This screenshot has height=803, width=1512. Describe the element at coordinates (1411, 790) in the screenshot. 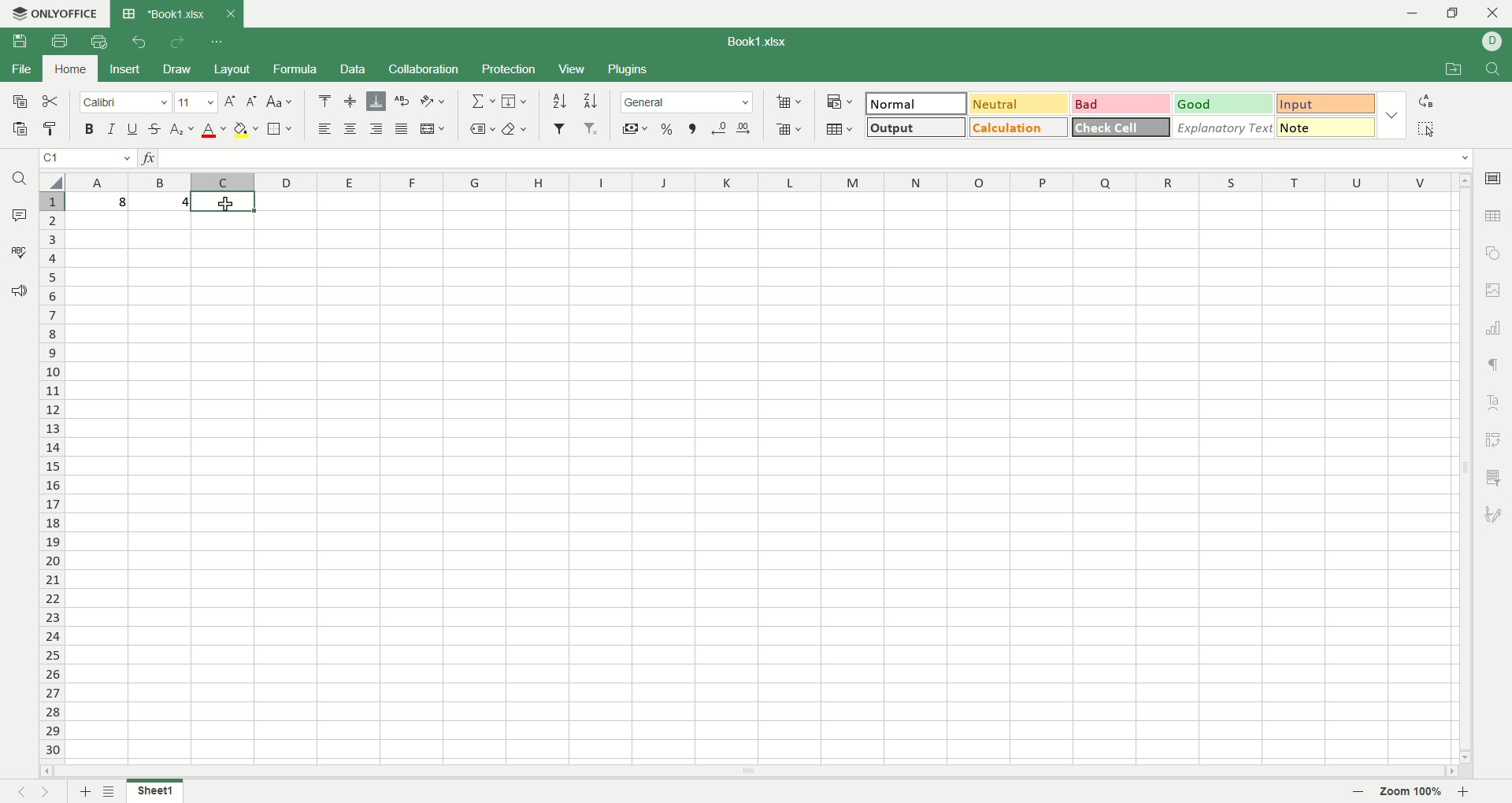

I see `zoom 100%` at that location.